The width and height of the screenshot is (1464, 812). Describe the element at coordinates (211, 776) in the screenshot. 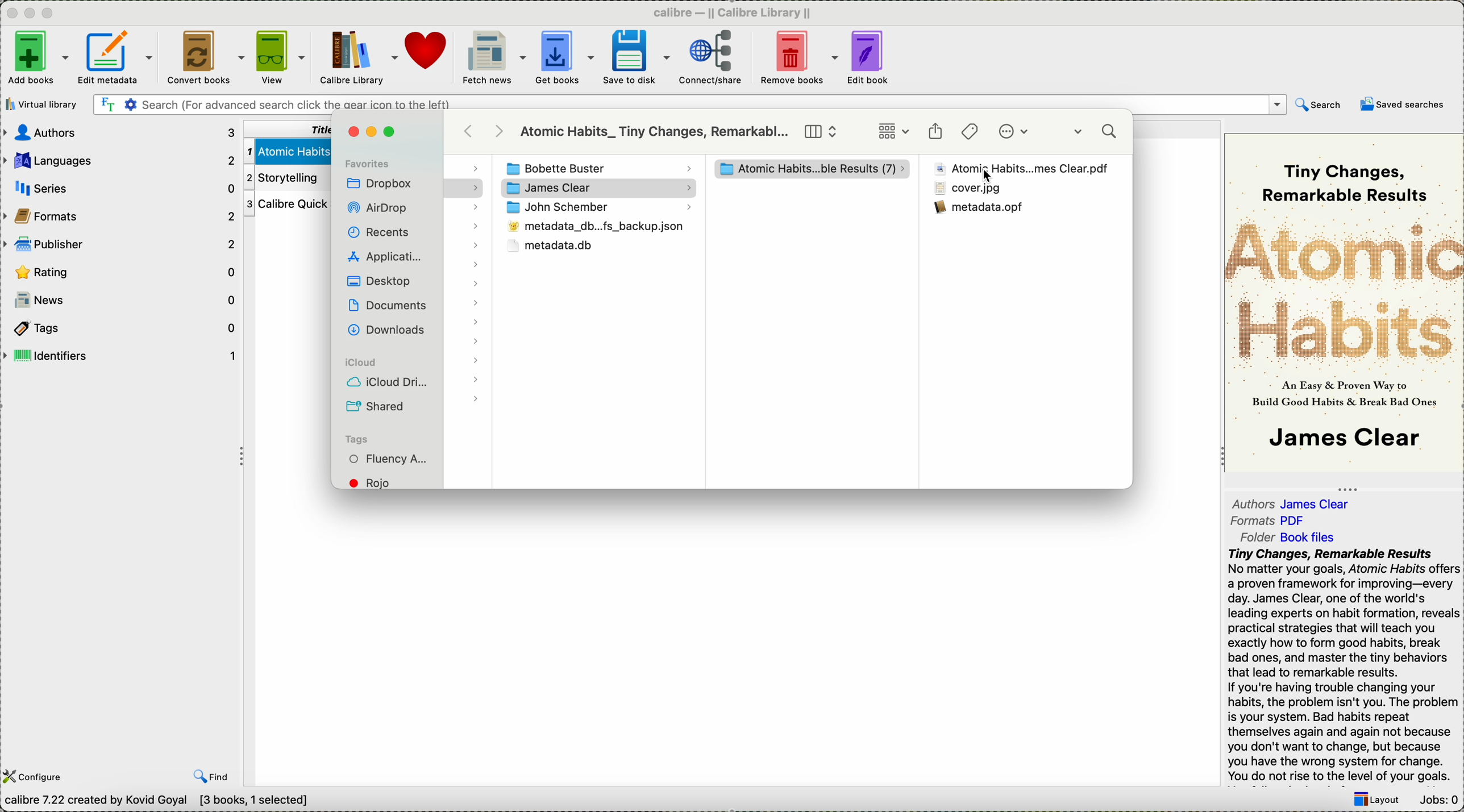

I see `find` at that location.